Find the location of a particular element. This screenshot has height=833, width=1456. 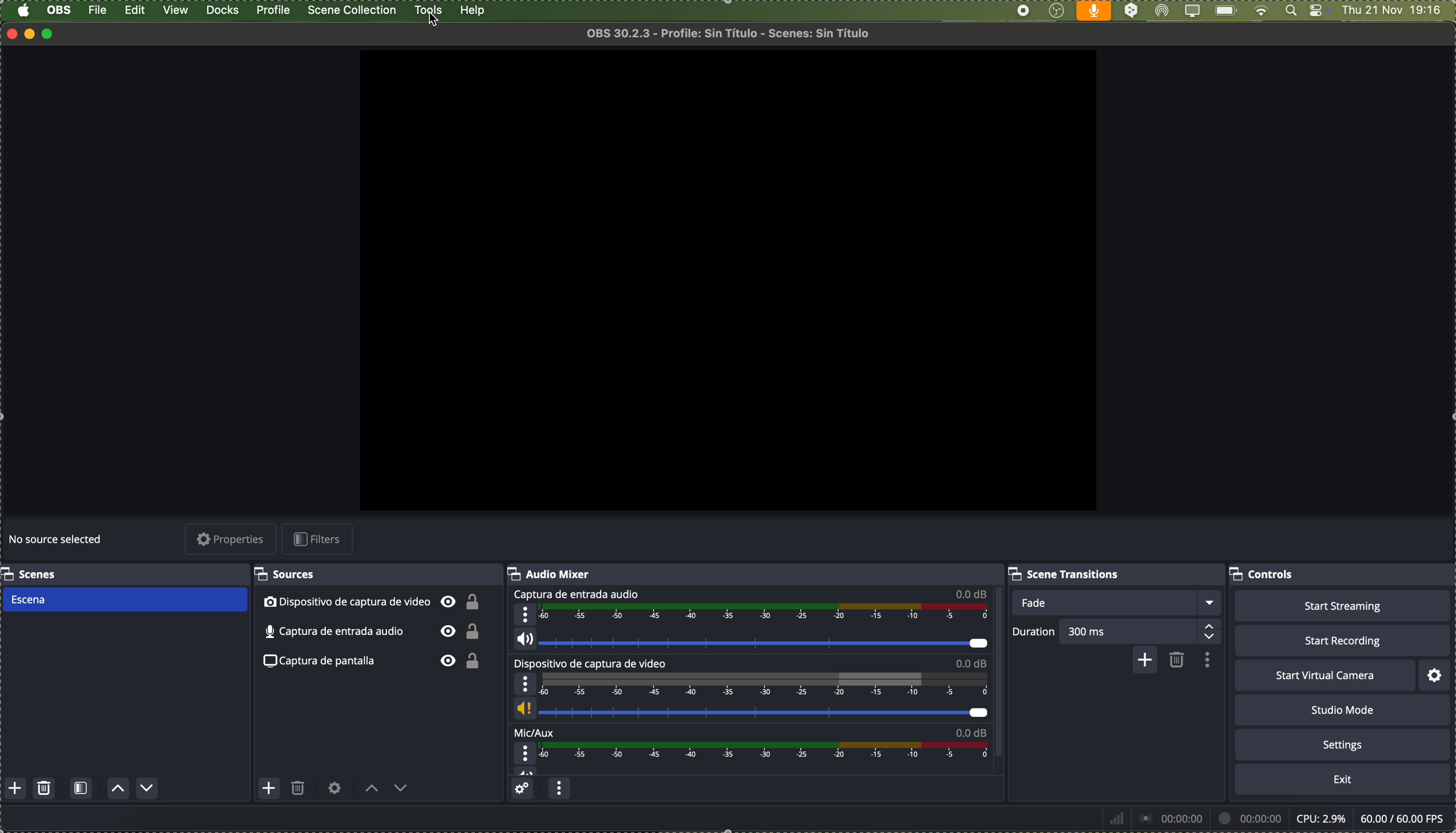

audio mixer is located at coordinates (550, 573).